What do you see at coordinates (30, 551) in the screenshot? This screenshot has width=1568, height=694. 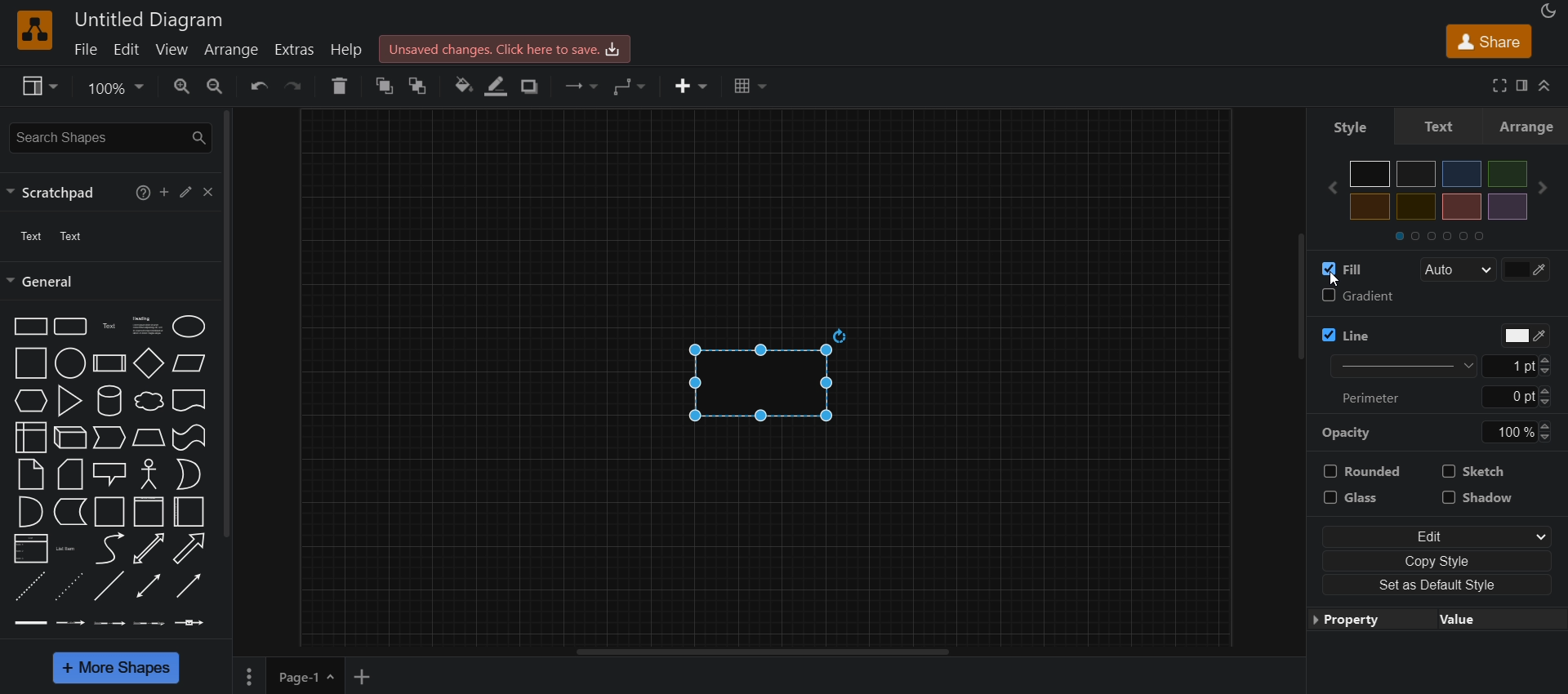 I see `list` at bounding box center [30, 551].